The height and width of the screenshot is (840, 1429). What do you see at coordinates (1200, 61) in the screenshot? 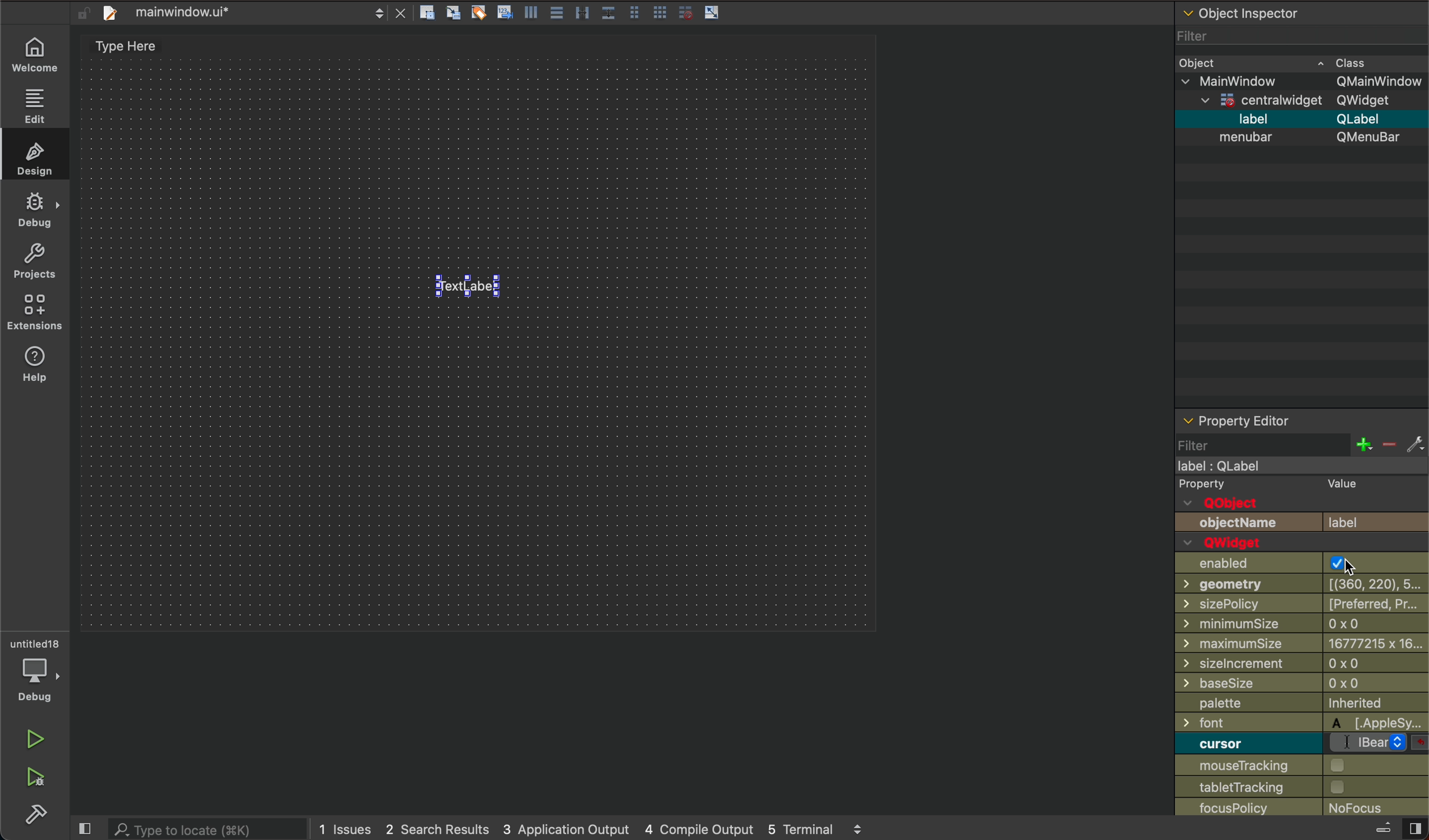
I see `Object` at bounding box center [1200, 61].